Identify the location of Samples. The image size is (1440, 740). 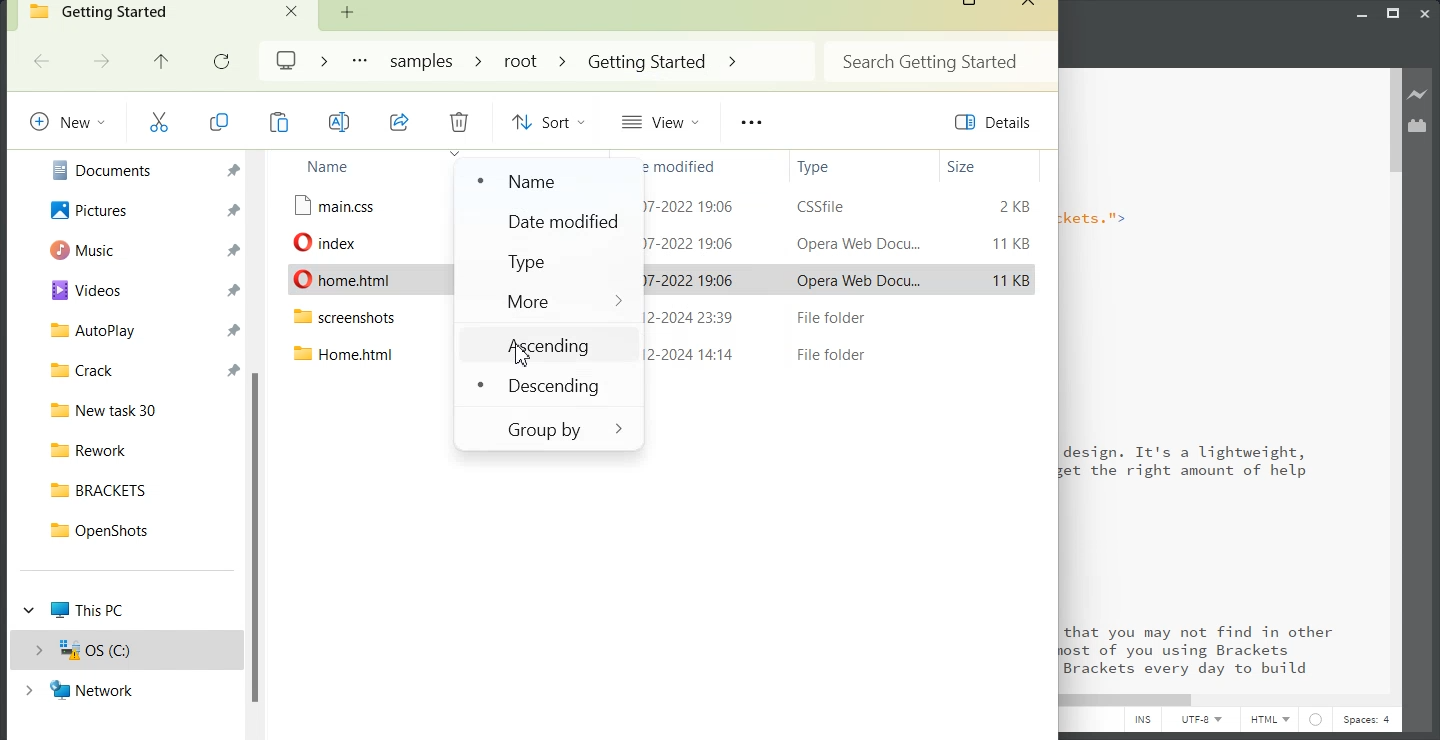
(424, 61).